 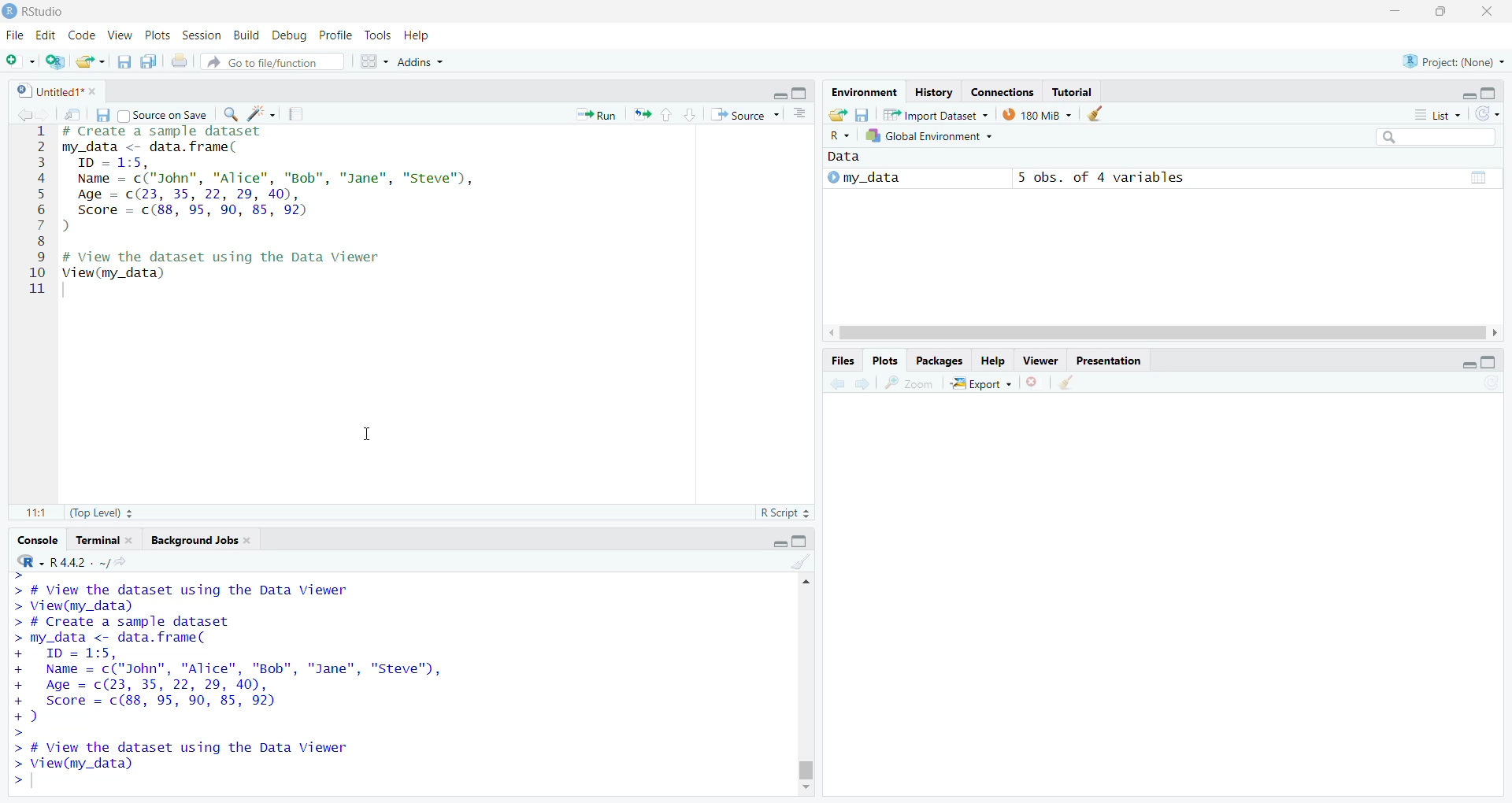 I want to click on Help, so click(x=419, y=37).